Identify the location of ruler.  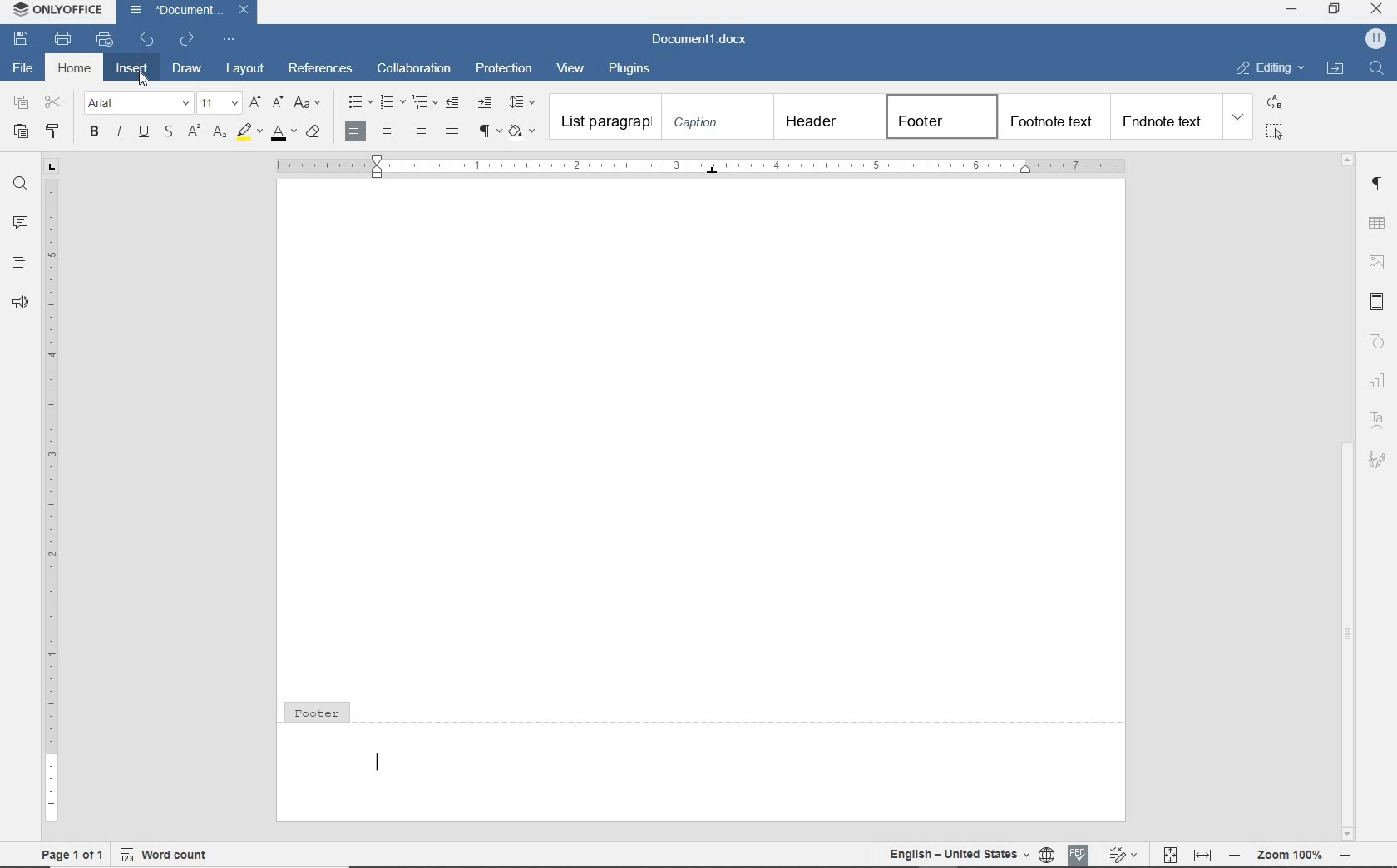
(699, 166).